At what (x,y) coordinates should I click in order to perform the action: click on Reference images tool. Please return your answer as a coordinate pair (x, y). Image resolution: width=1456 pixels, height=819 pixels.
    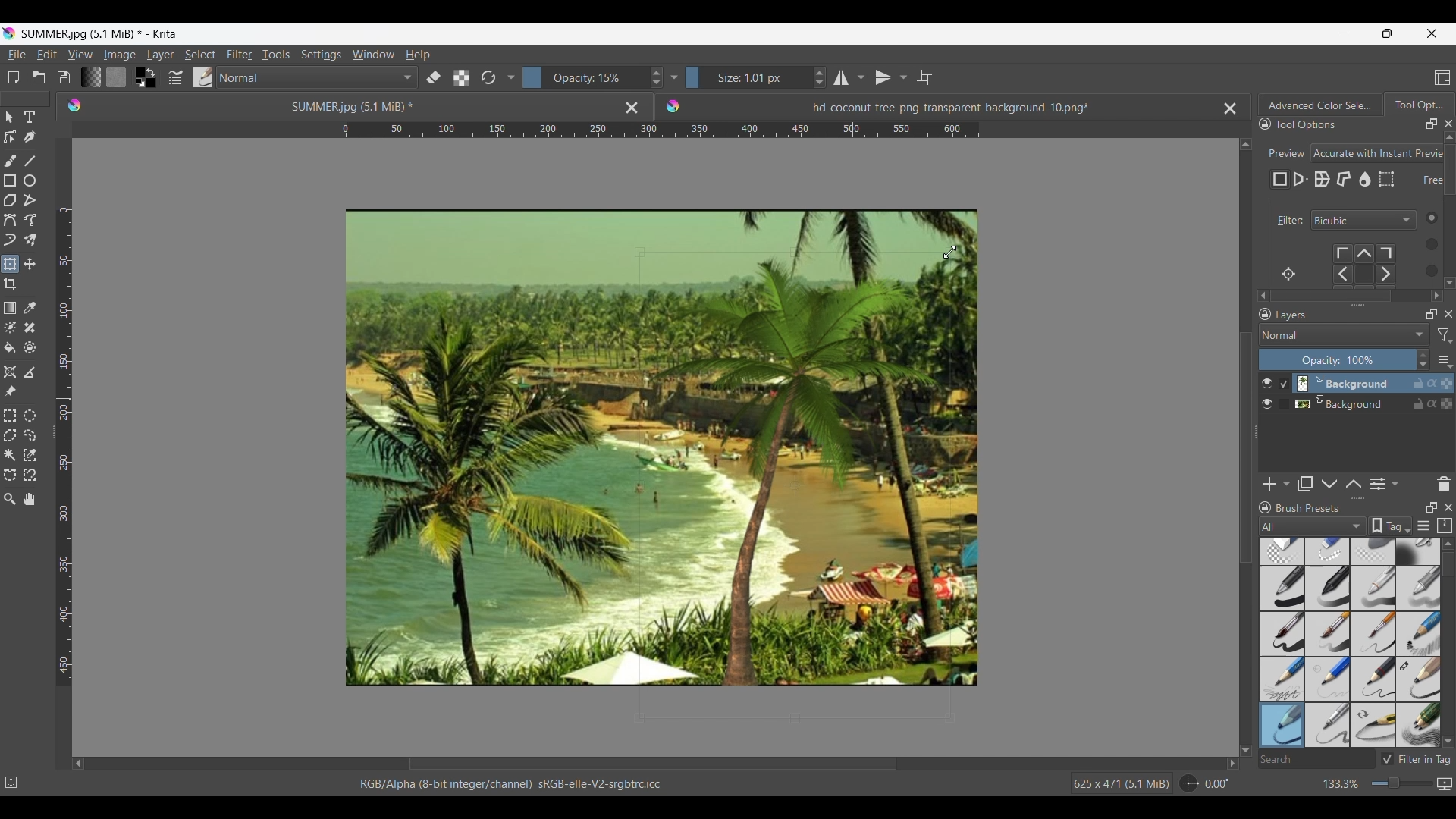
    Looking at the image, I should click on (11, 391).